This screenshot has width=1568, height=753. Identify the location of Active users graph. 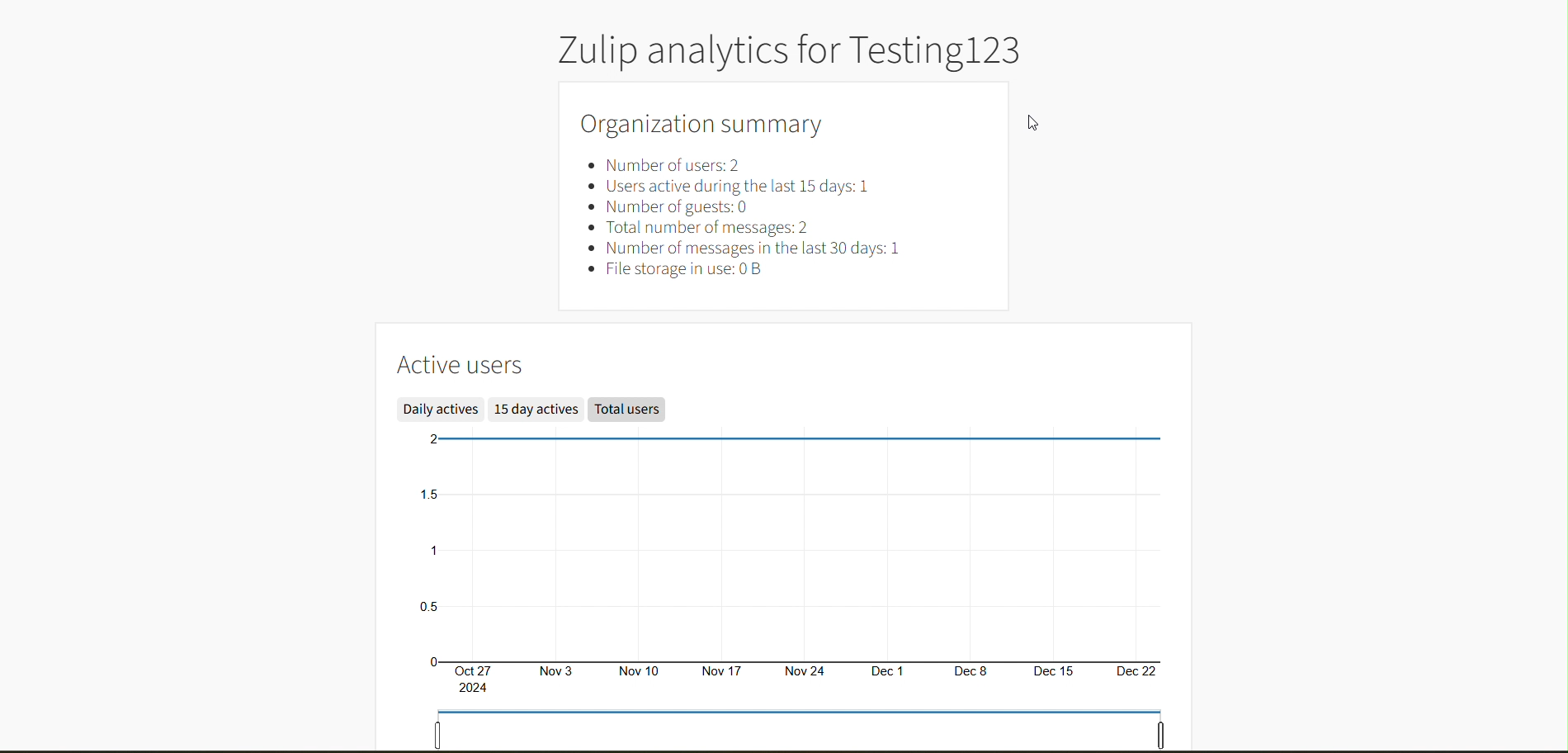
(786, 587).